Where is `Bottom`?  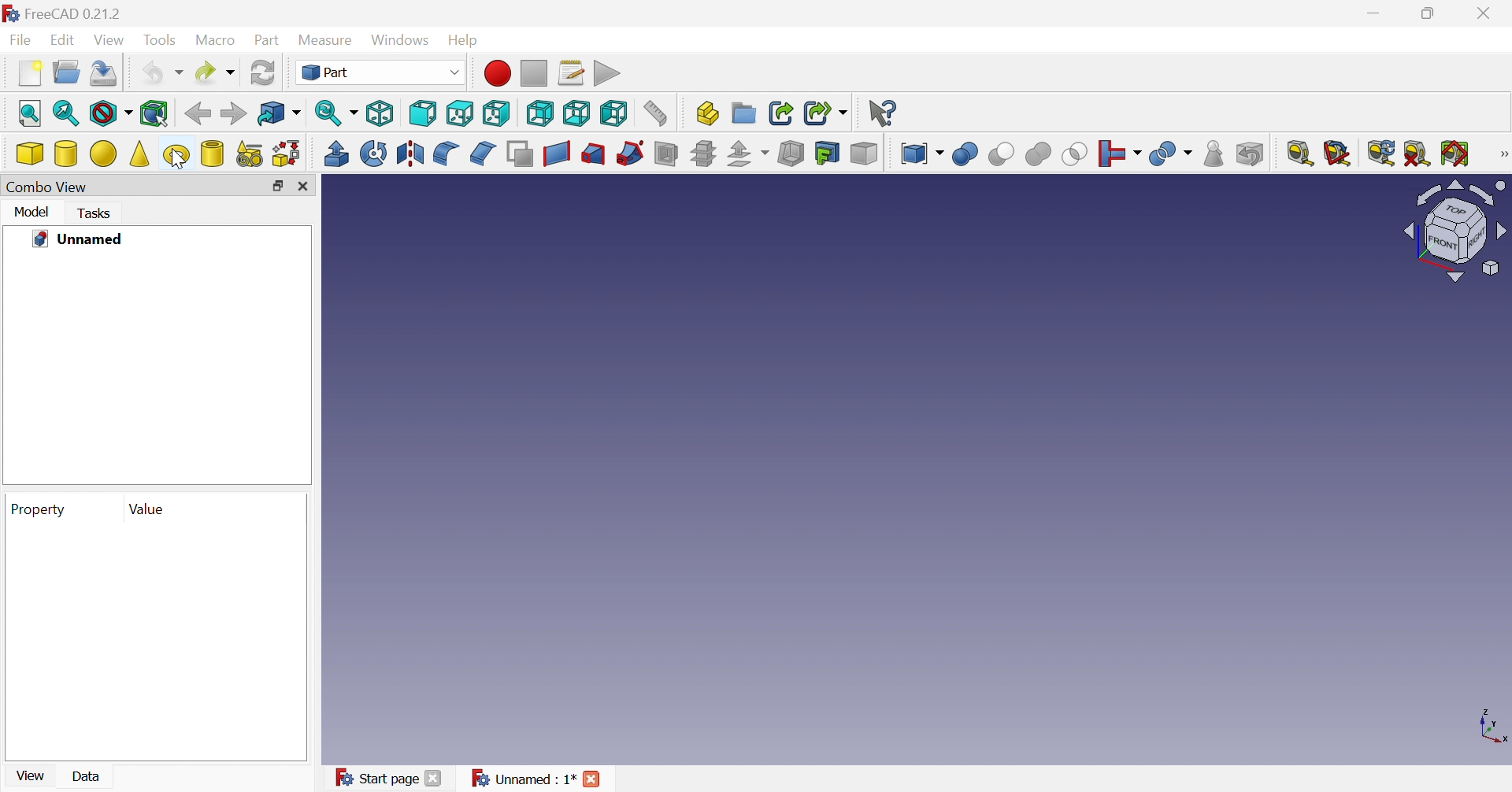 Bottom is located at coordinates (576, 113).